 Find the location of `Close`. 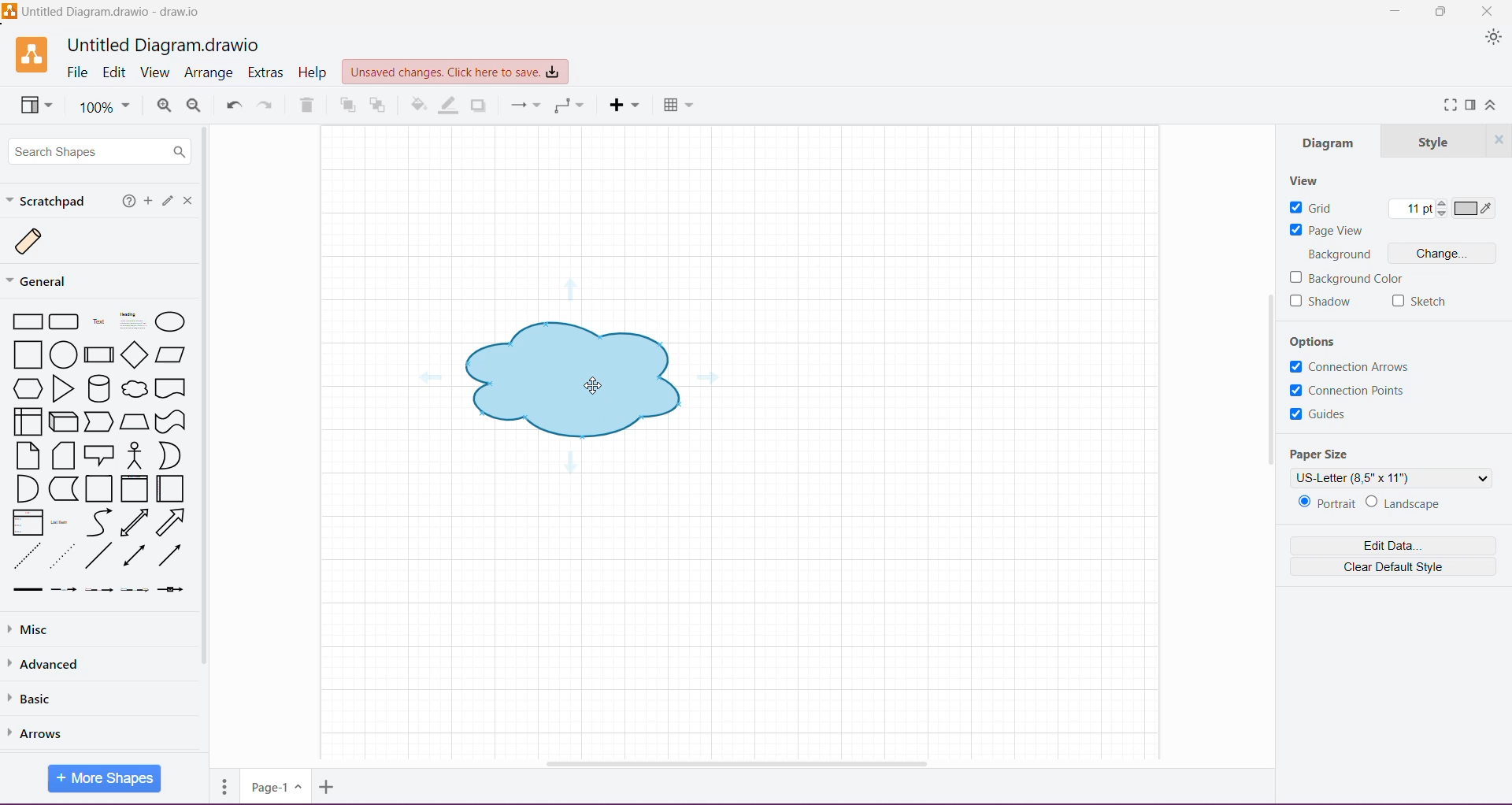

Close is located at coordinates (1499, 140).